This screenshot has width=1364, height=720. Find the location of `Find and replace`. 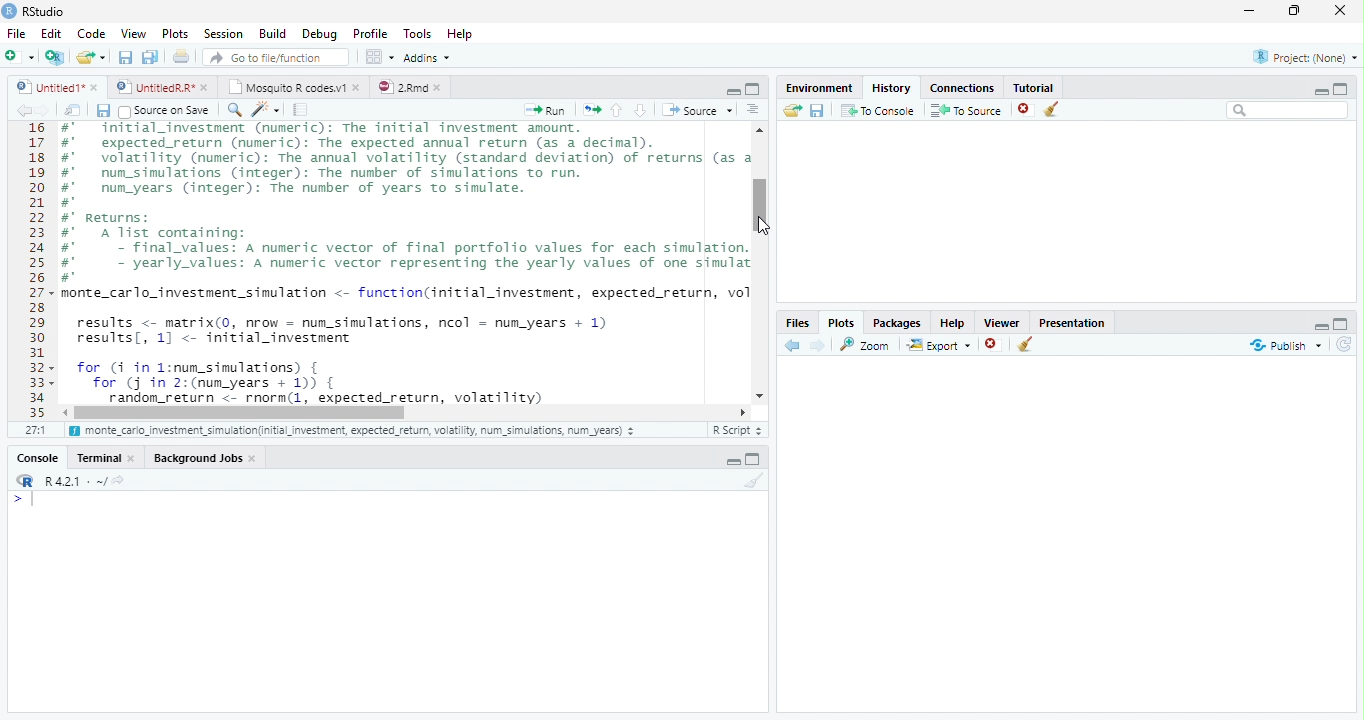

Find and replace is located at coordinates (235, 110).